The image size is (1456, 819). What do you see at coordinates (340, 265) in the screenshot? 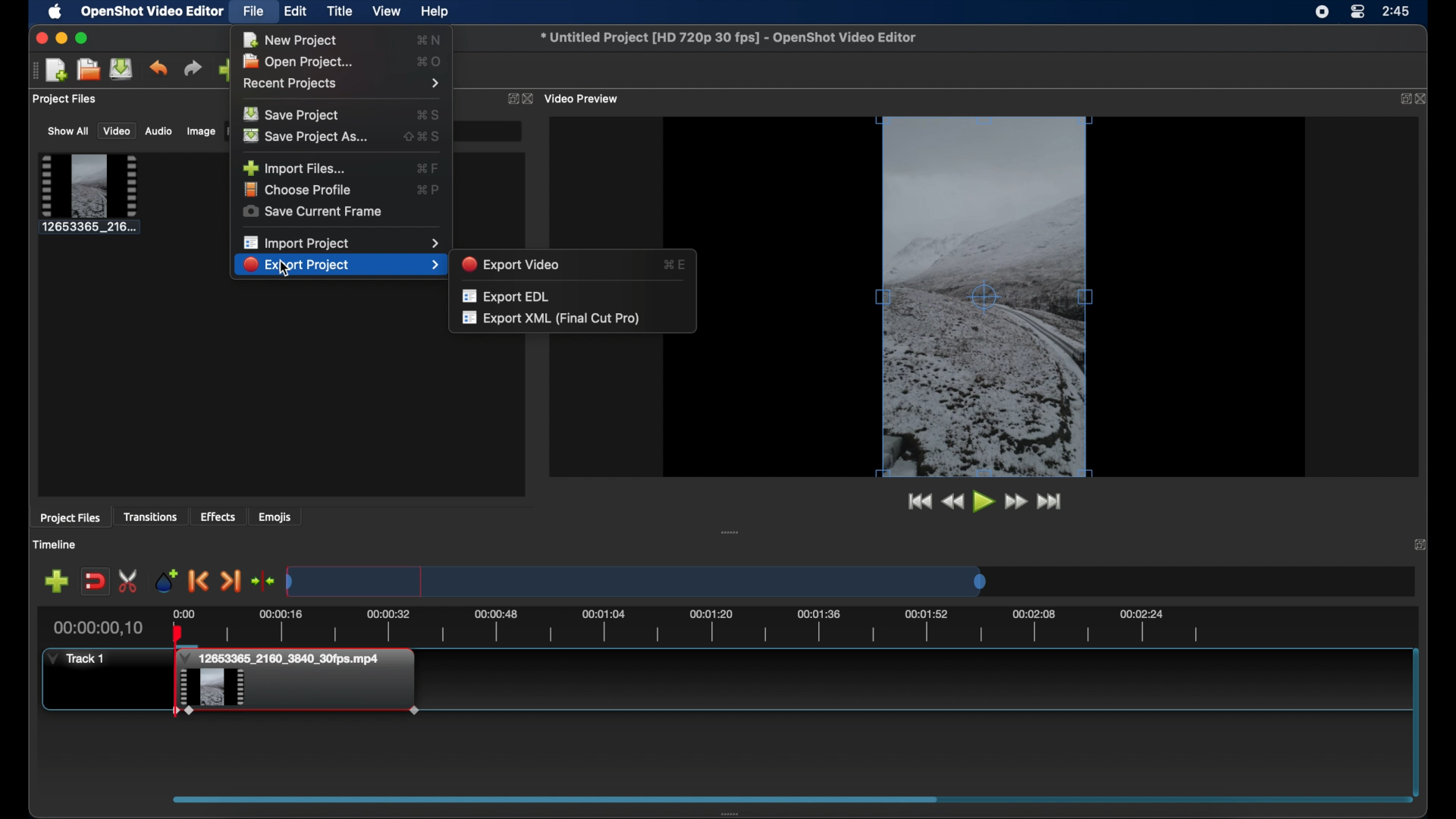
I see `export video menu` at bounding box center [340, 265].